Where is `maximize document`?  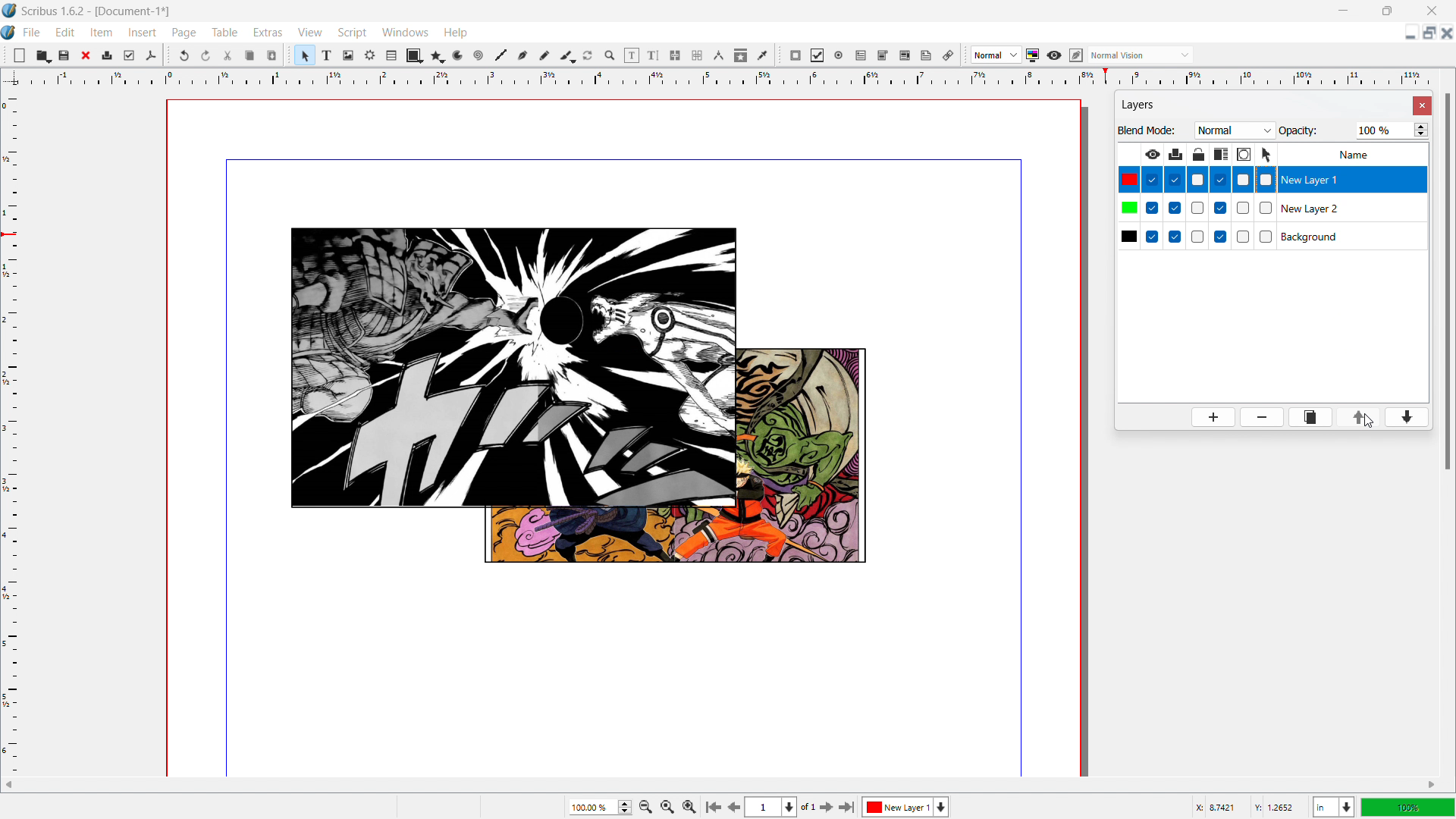 maximize document is located at coordinates (1427, 32).